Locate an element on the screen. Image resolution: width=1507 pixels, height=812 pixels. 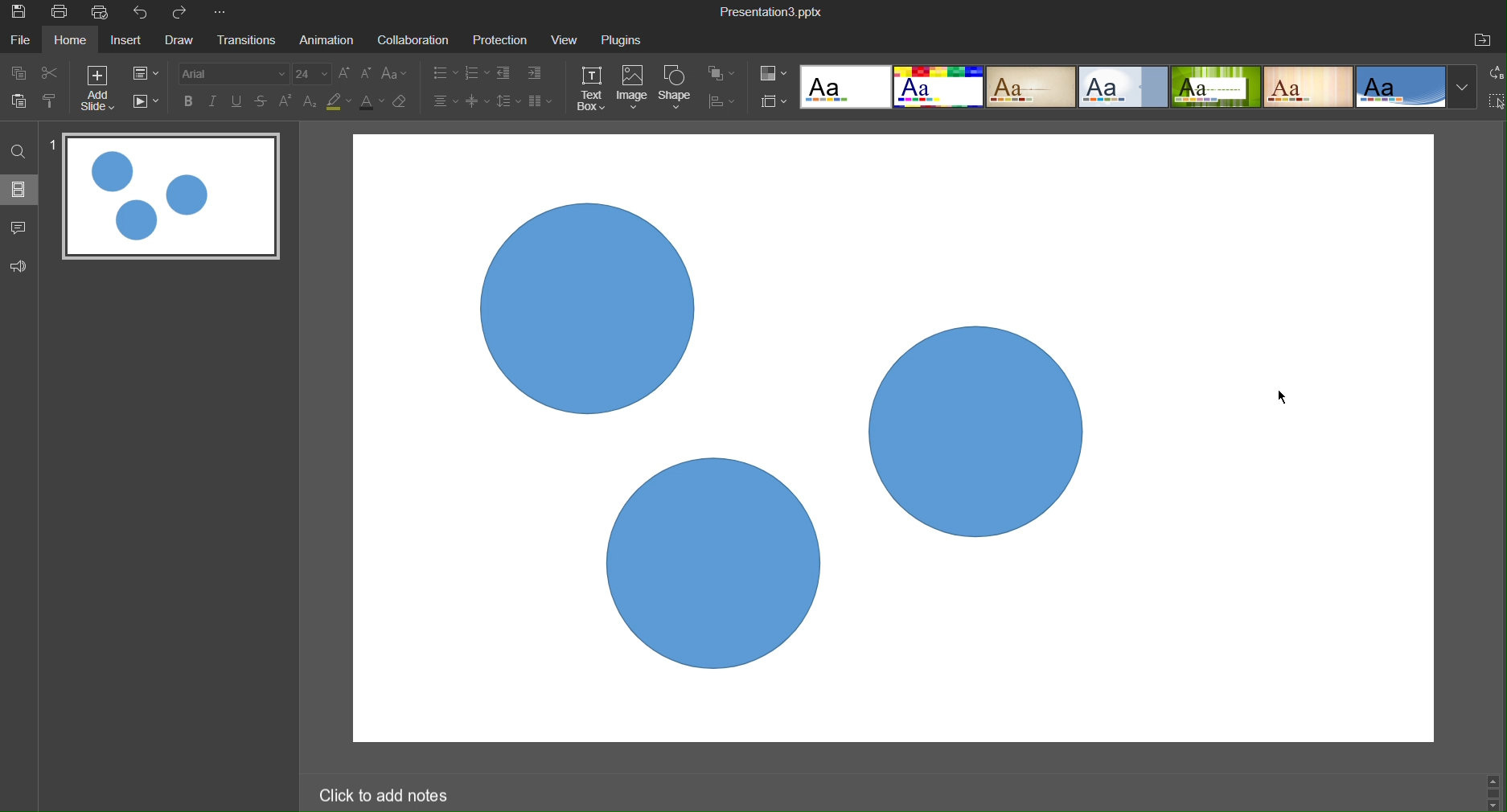
Collaboration is located at coordinates (416, 40).